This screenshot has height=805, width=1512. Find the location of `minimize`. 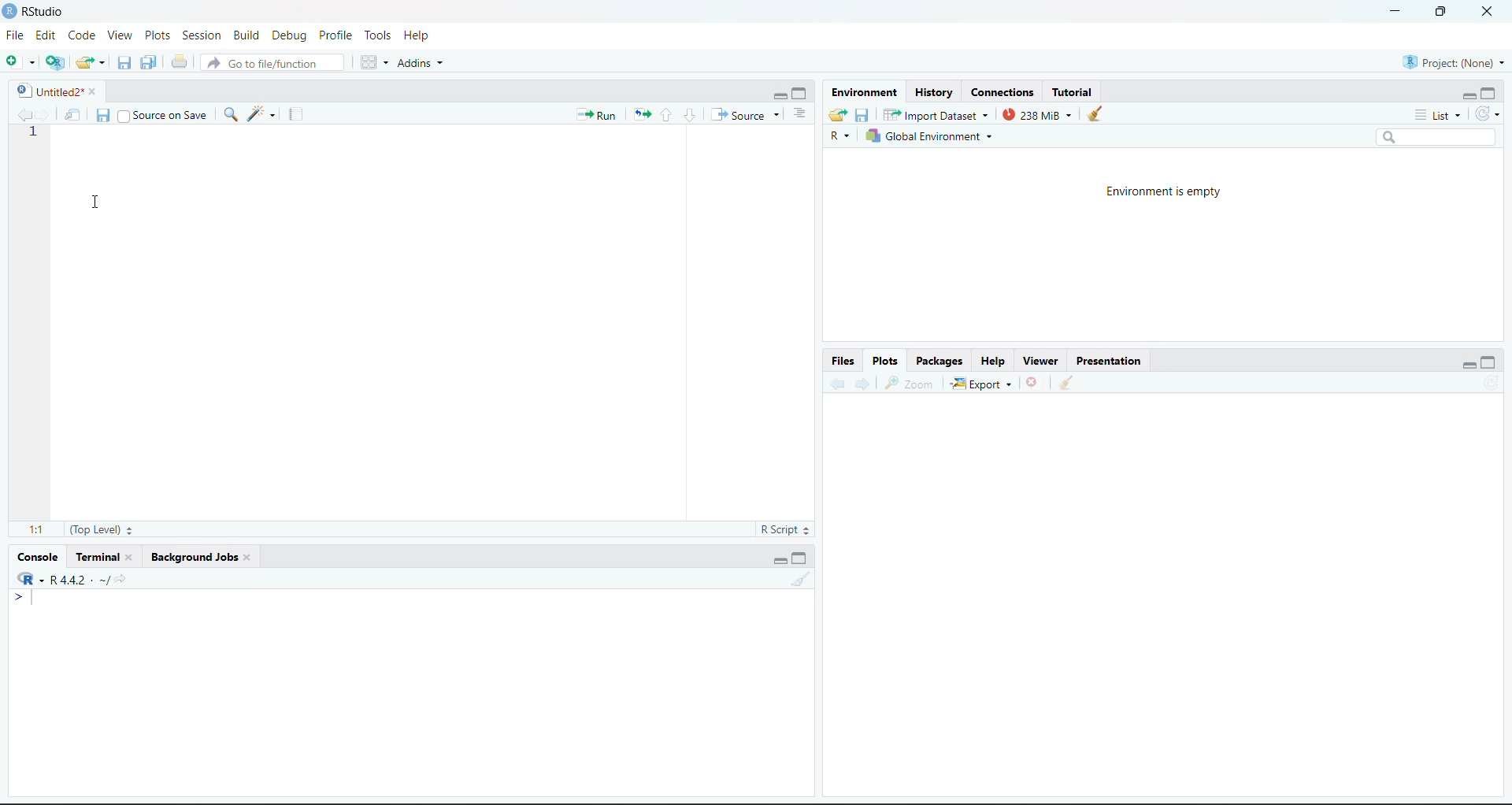

minimize is located at coordinates (1395, 12).